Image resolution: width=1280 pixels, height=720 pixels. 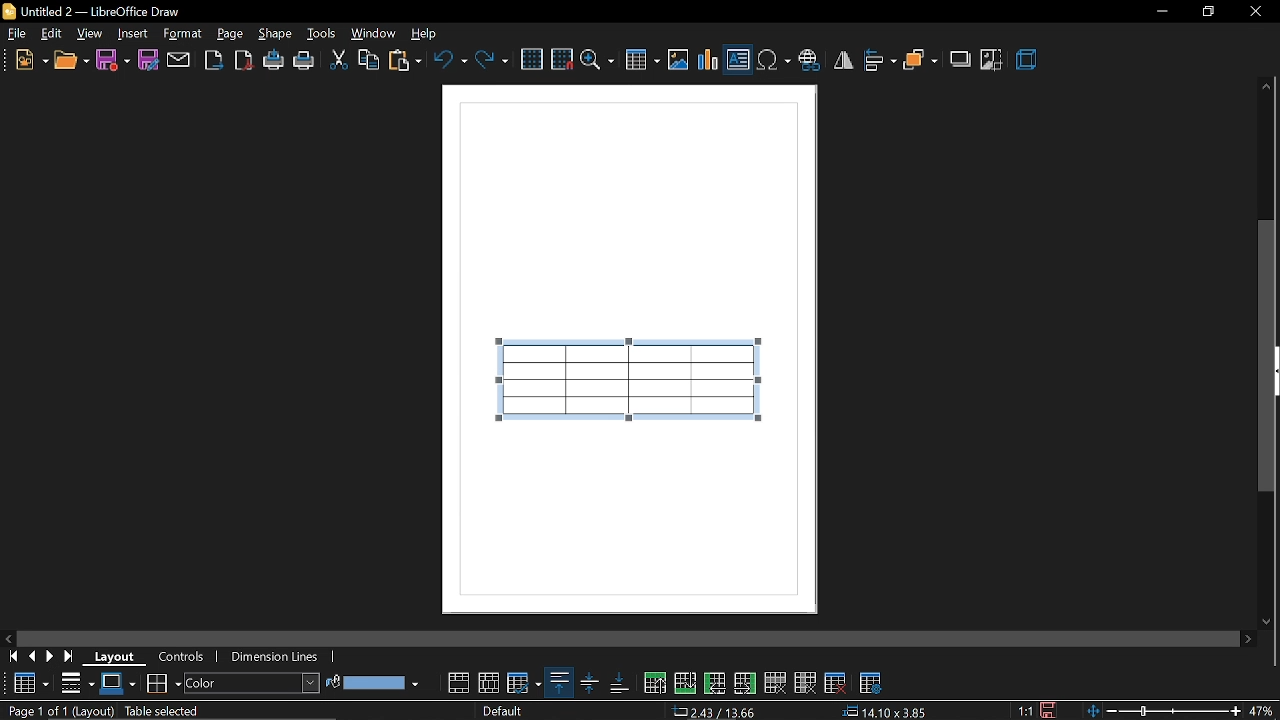 What do you see at coordinates (149, 61) in the screenshot?
I see `save as` at bounding box center [149, 61].